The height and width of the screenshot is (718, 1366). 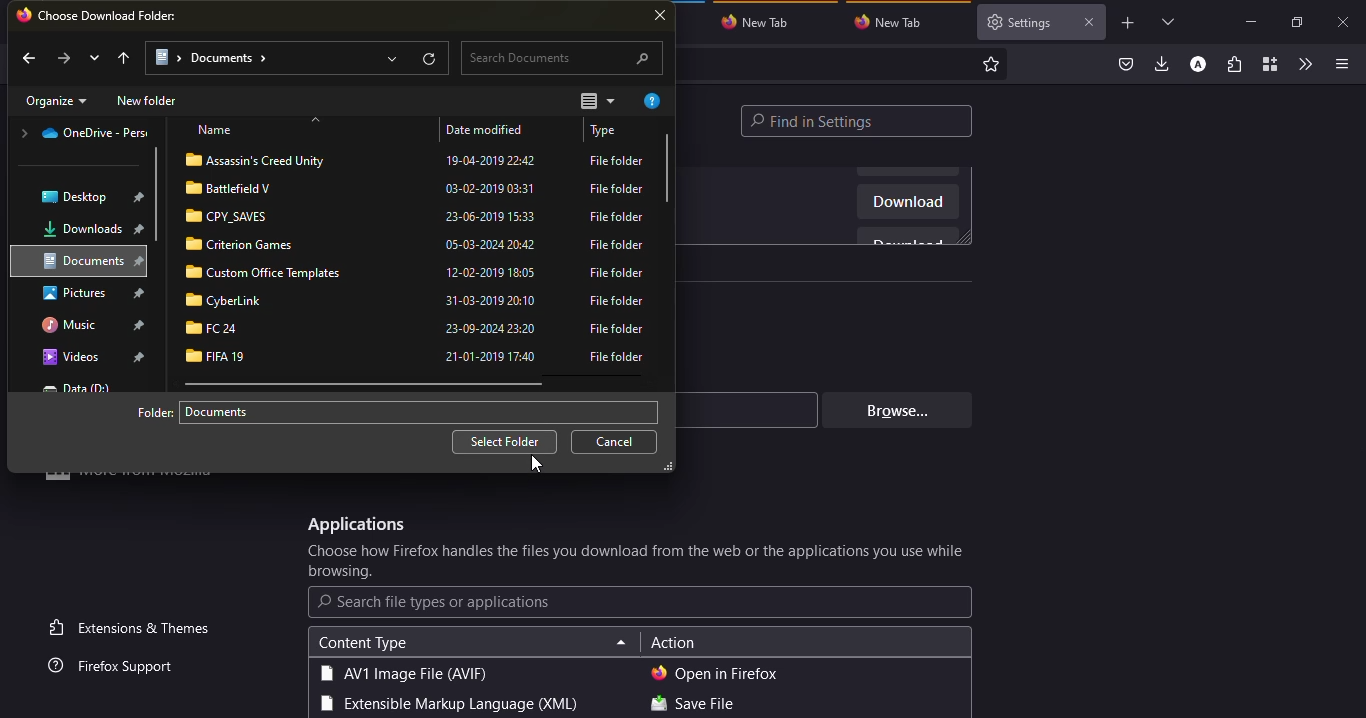 What do you see at coordinates (621, 217) in the screenshot?
I see `type` at bounding box center [621, 217].